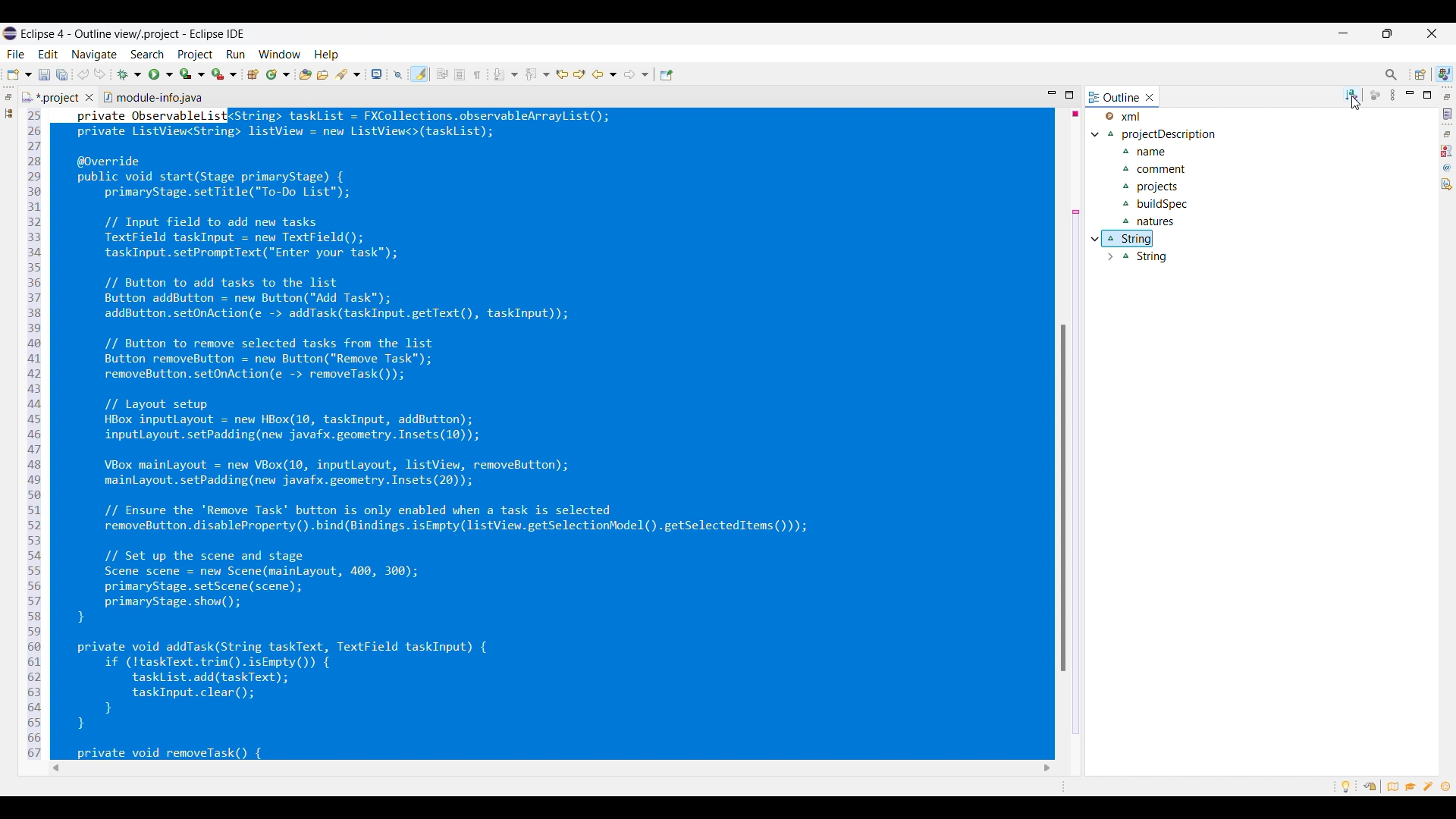  I want to click on xml, so click(1134, 116).